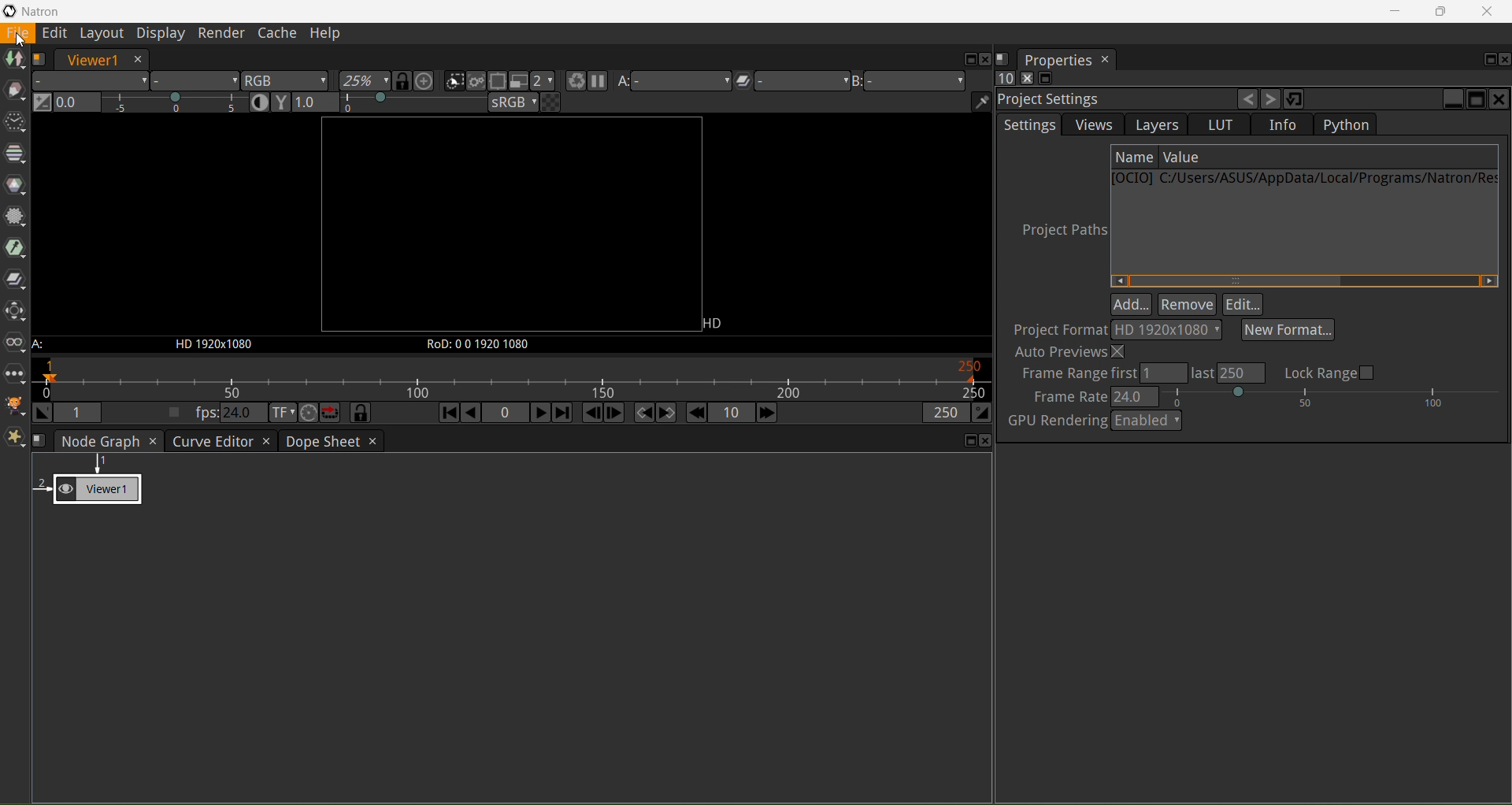 The height and width of the screenshot is (805, 1512). What do you see at coordinates (498, 82) in the screenshot?
I see `When active, enables the region of interest that limits the portion of the viewer that is kept updated` at bounding box center [498, 82].